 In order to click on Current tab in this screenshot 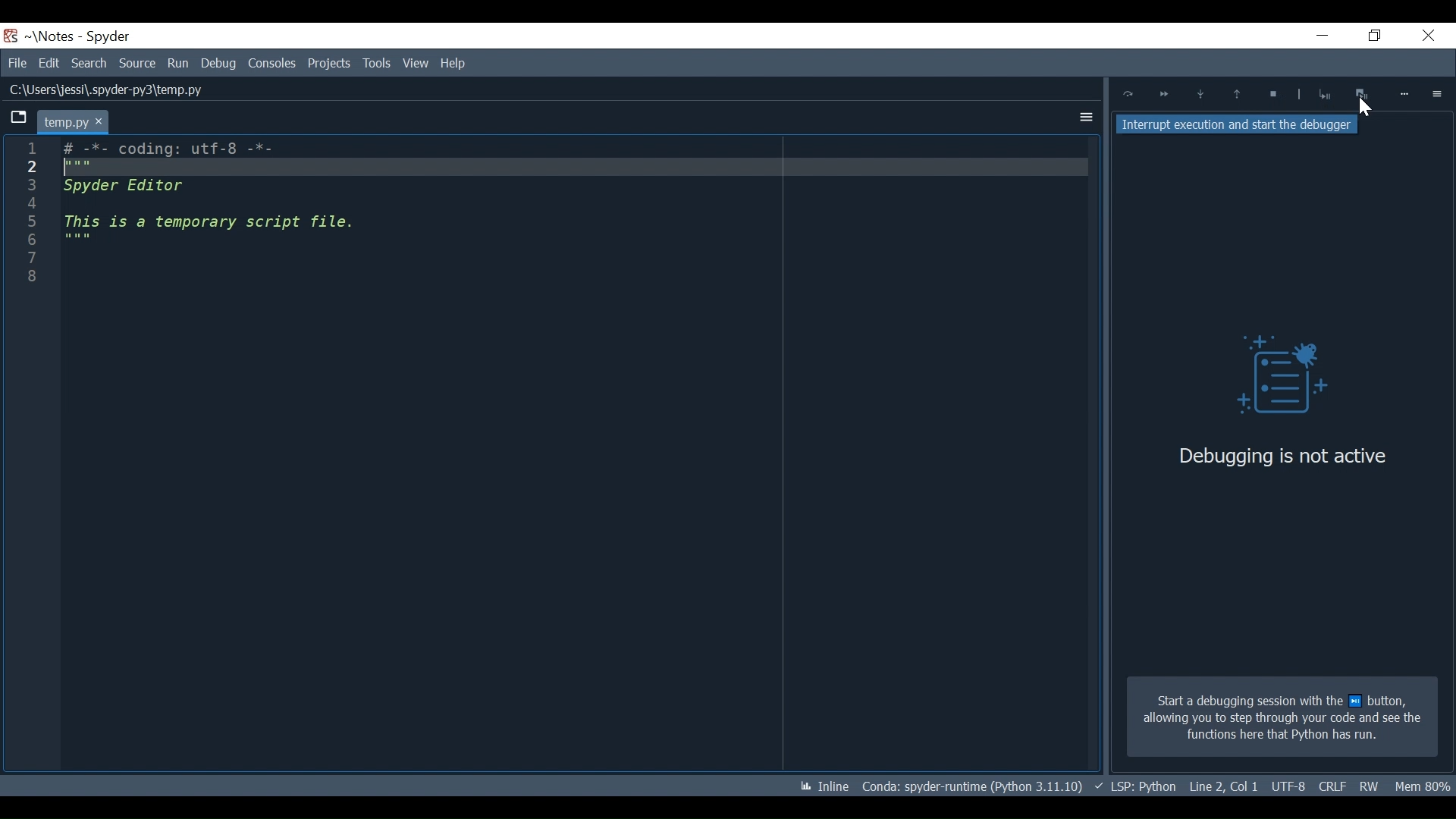, I will do `click(72, 121)`.